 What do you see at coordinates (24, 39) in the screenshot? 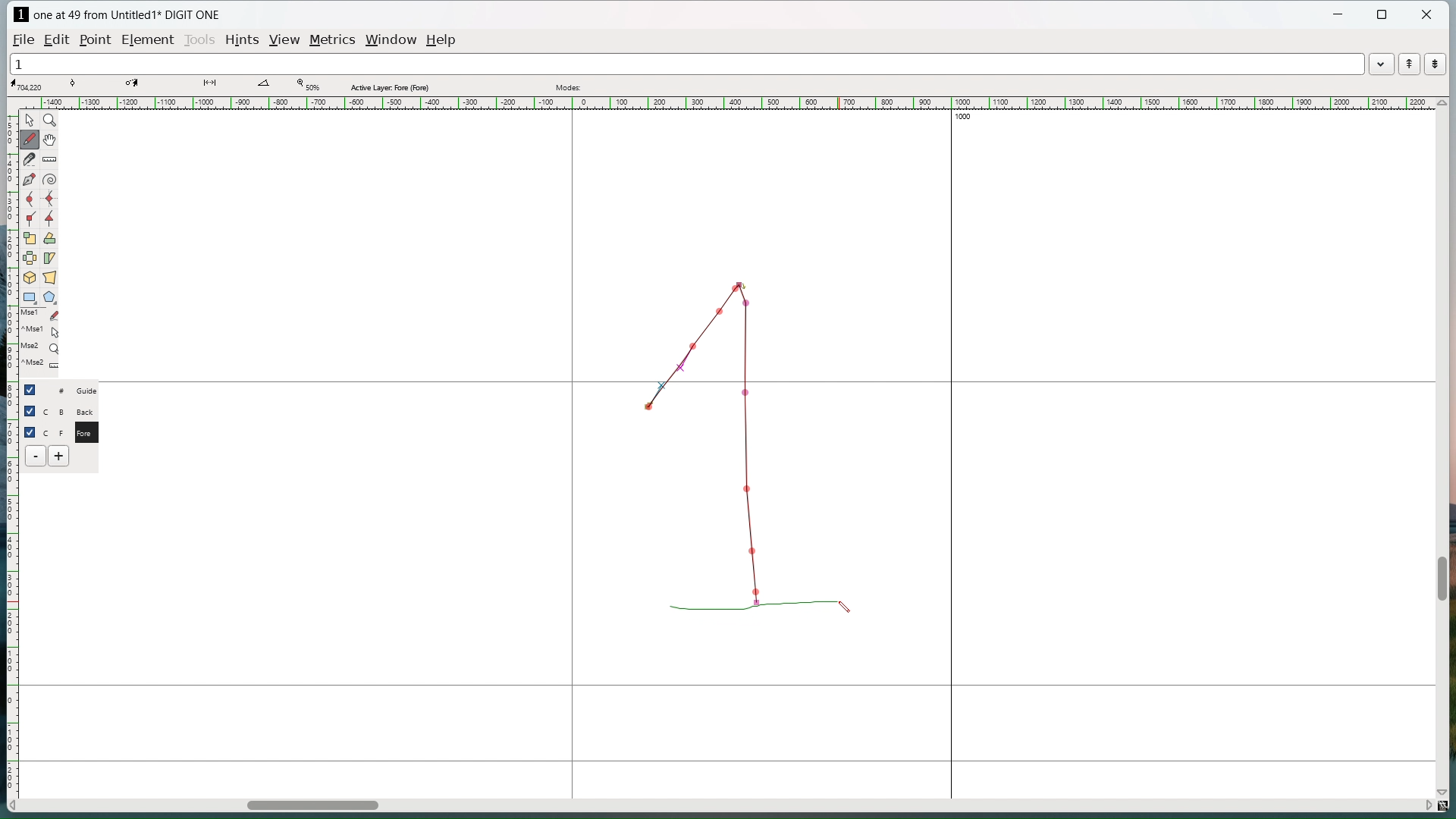
I see `file` at bounding box center [24, 39].